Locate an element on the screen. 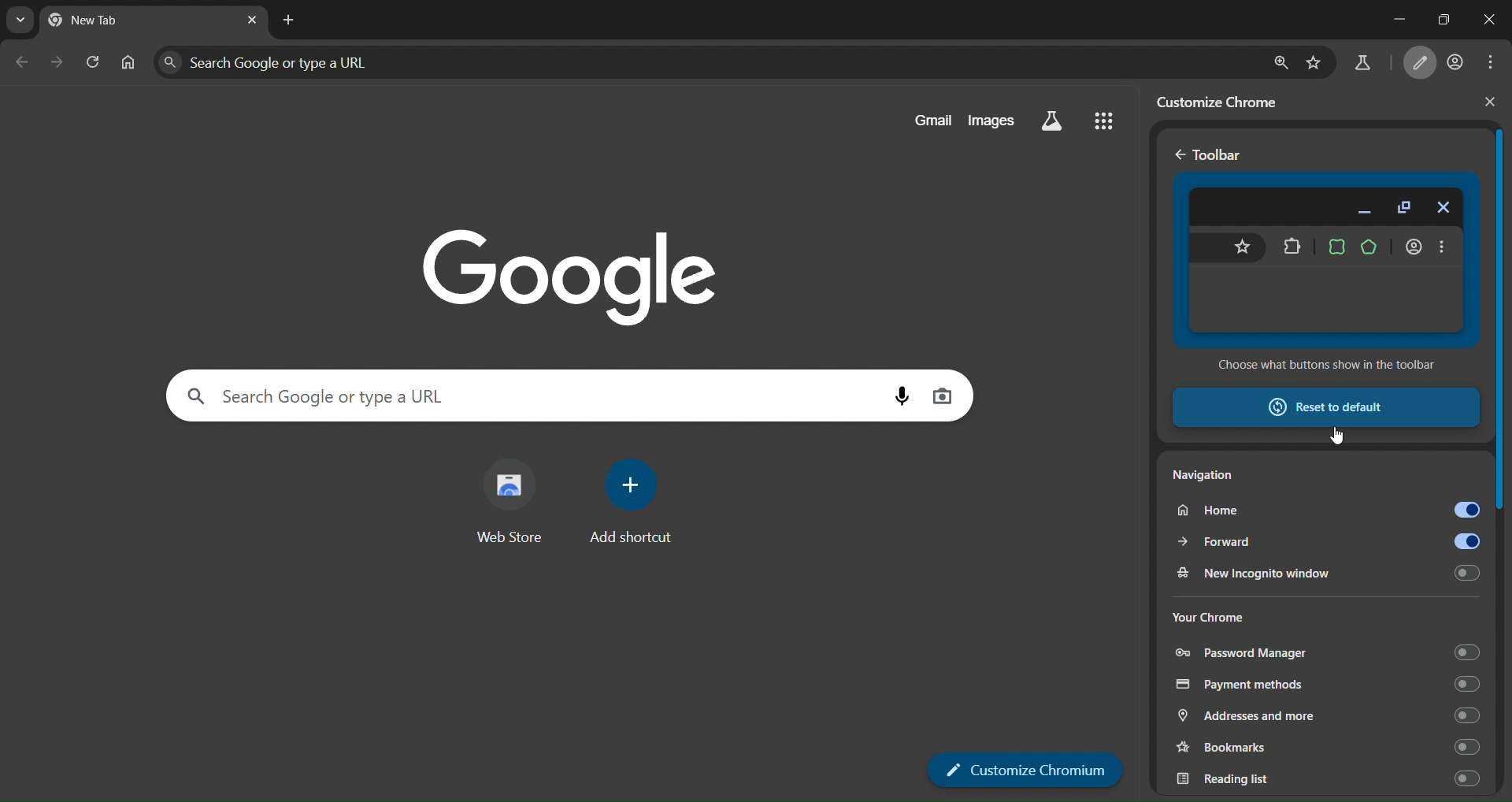 The width and height of the screenshot is (1512, 802). reset to default is located at coordinates (1323, 408).